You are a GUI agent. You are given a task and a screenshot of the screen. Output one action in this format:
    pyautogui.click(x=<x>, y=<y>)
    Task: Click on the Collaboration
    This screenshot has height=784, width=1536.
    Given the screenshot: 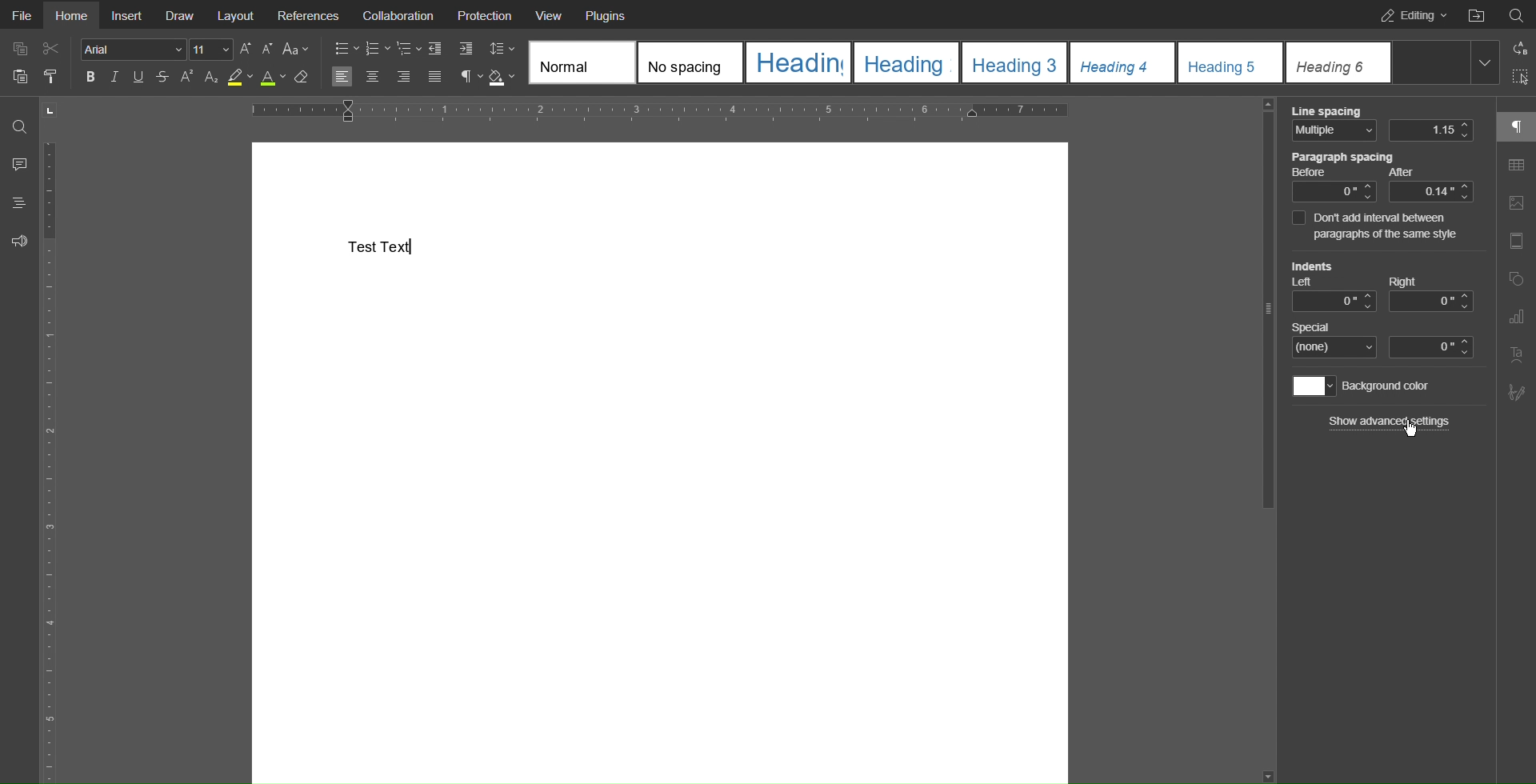 What is the action you would take?
    pyautogui.click(x=394, y=14)
    